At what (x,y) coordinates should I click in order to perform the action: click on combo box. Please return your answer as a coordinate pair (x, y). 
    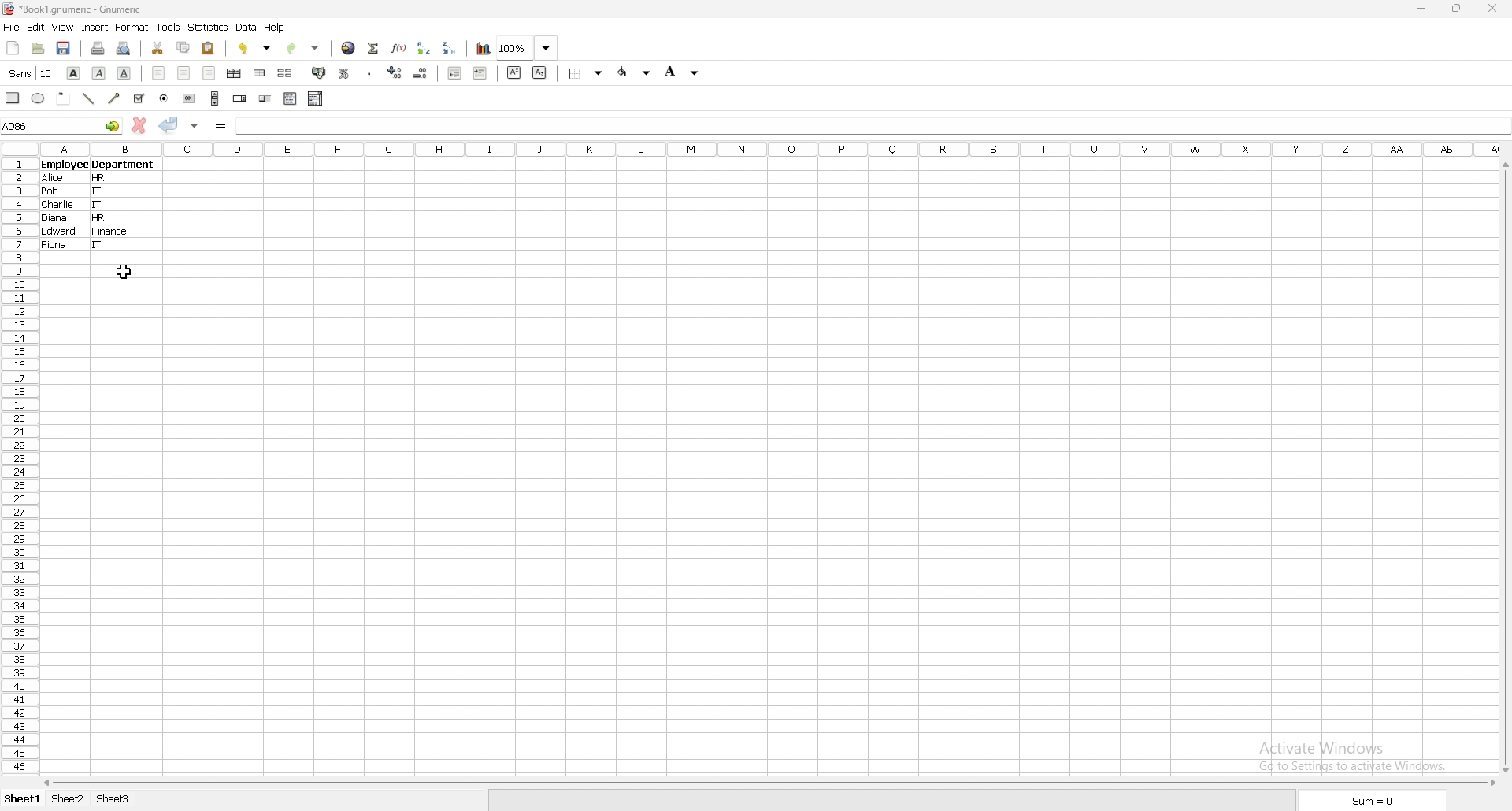
    Looking at the image, I should click on (316, 98).